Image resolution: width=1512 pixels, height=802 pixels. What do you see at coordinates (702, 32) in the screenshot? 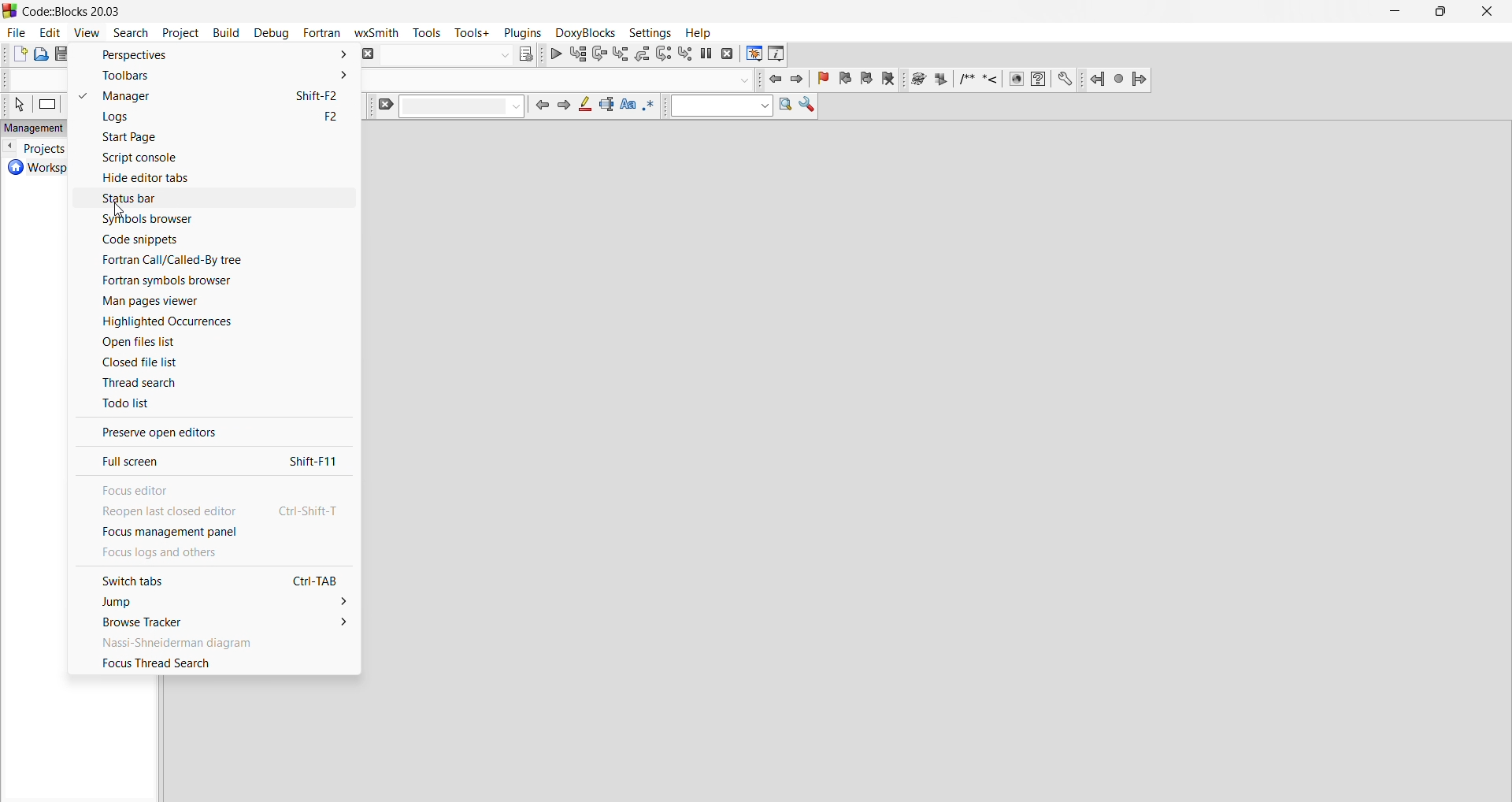
I see `help` at bounding box center [702, 32].